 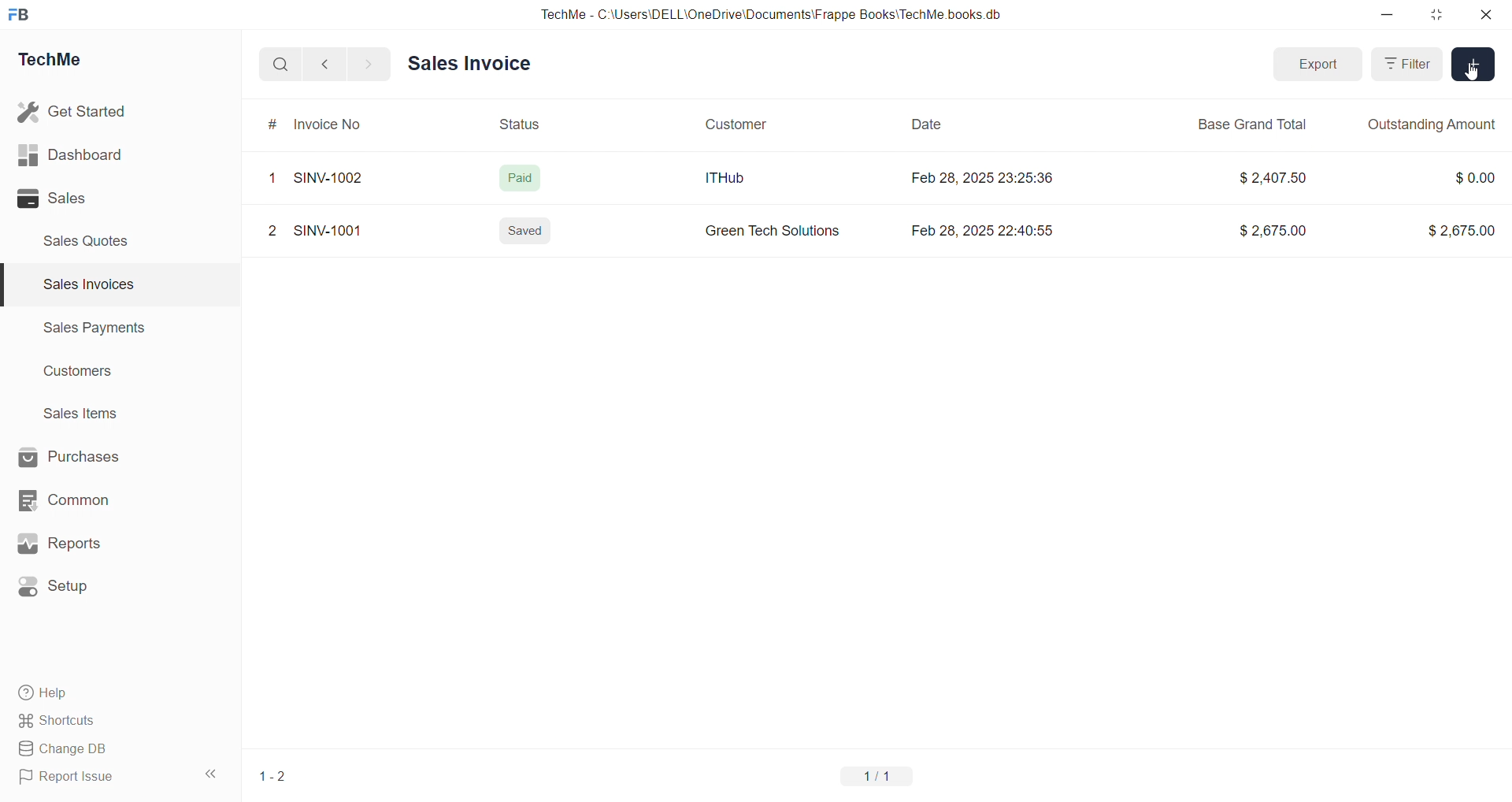 What do you see at coordinates (1277, 177) in the screenshot?
I see `$2407.50` at bounding box center [1277, 177].